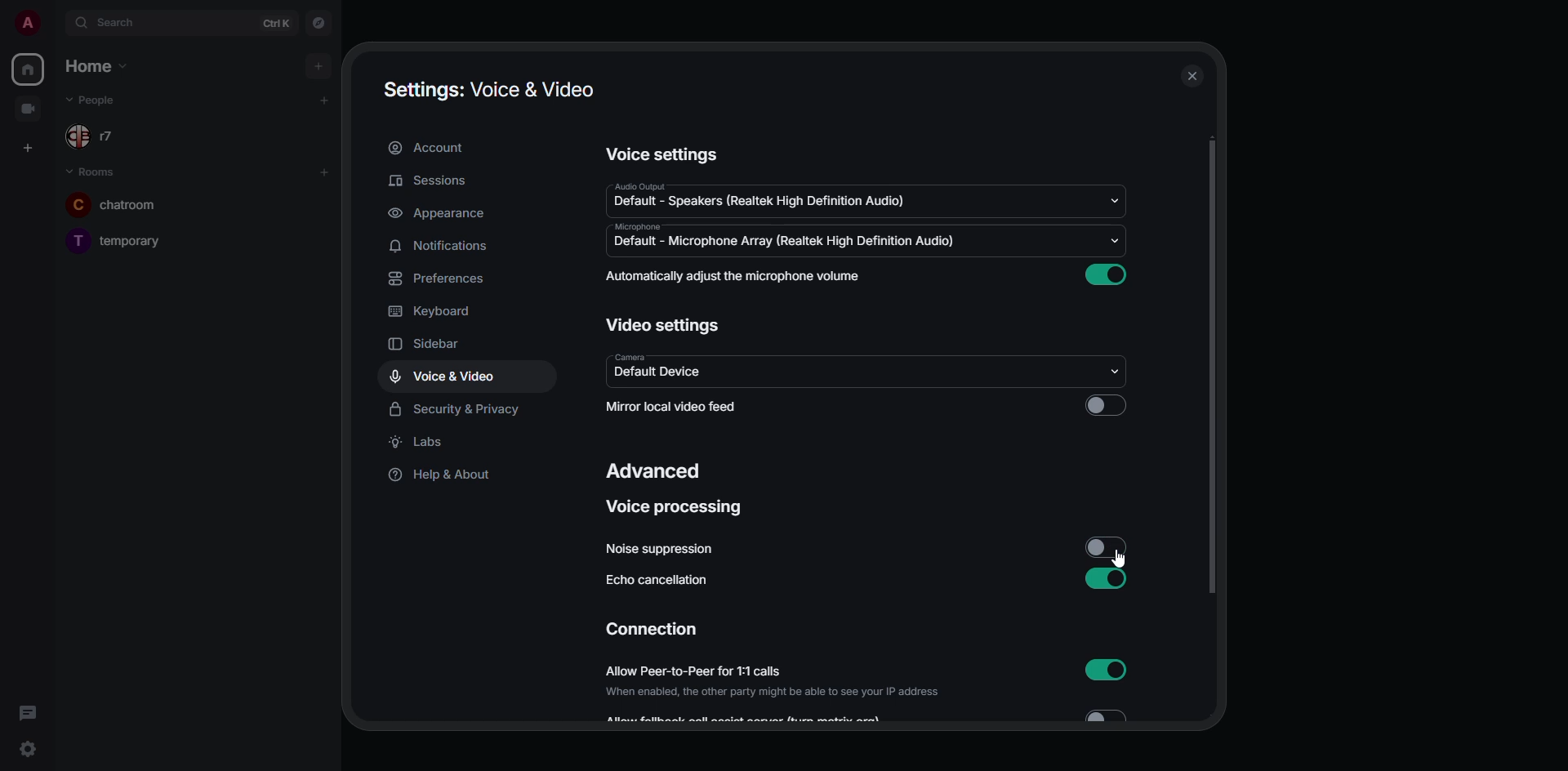 This screenshot has width=1568, height=771. I want to click on advanced, so click(653, 473).